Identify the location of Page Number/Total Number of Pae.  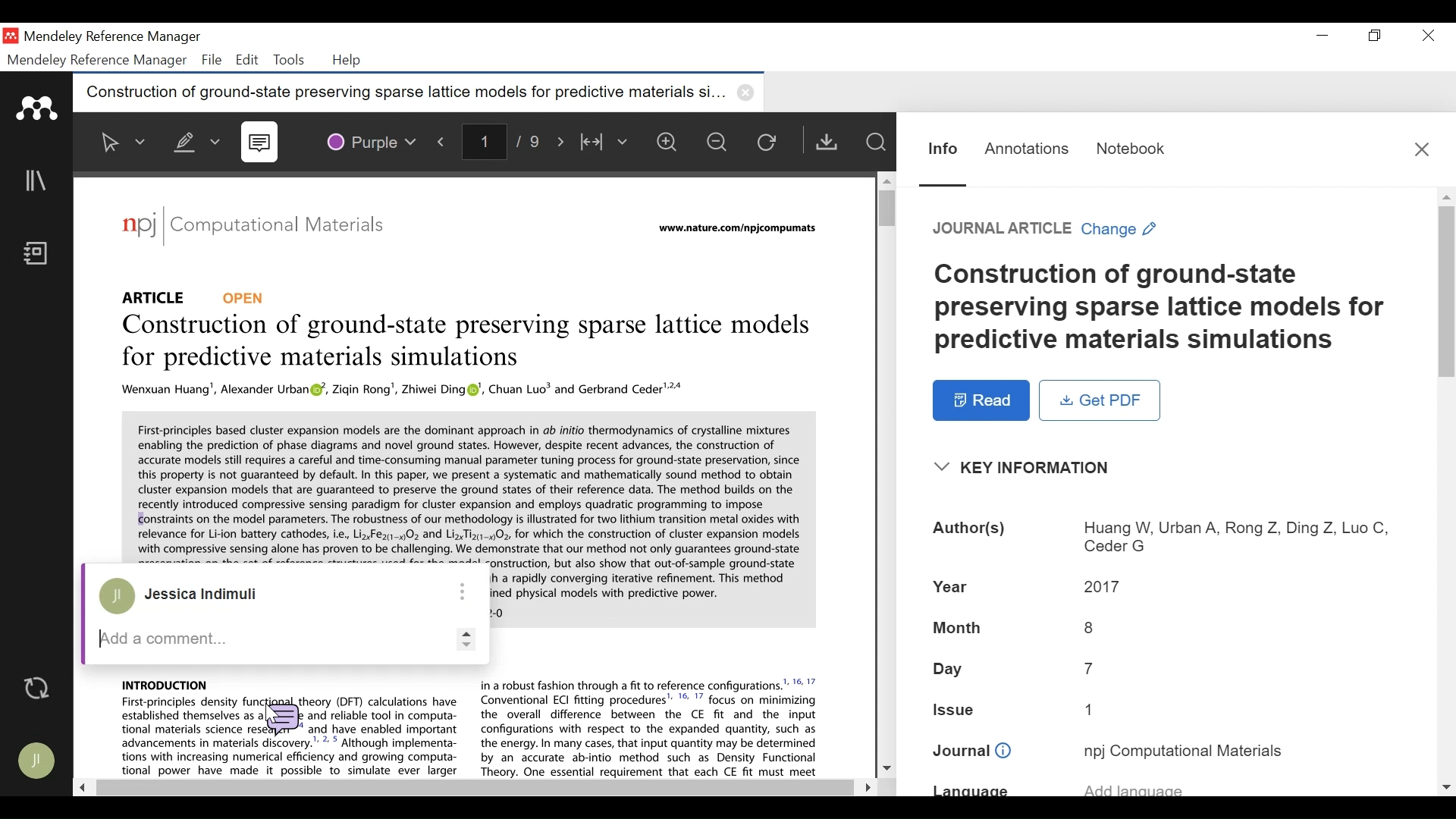
(504, 143).